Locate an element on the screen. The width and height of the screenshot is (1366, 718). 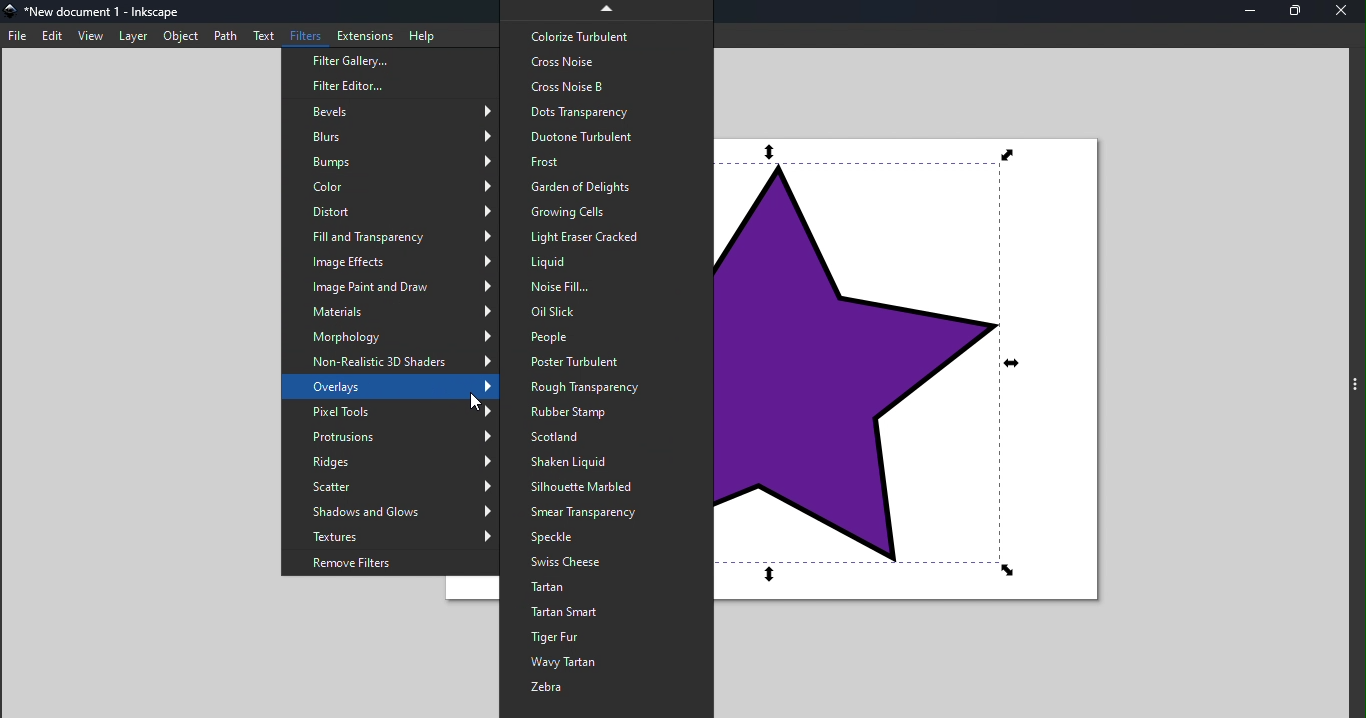
Shaken liquid is located at coordinates (607, 464).